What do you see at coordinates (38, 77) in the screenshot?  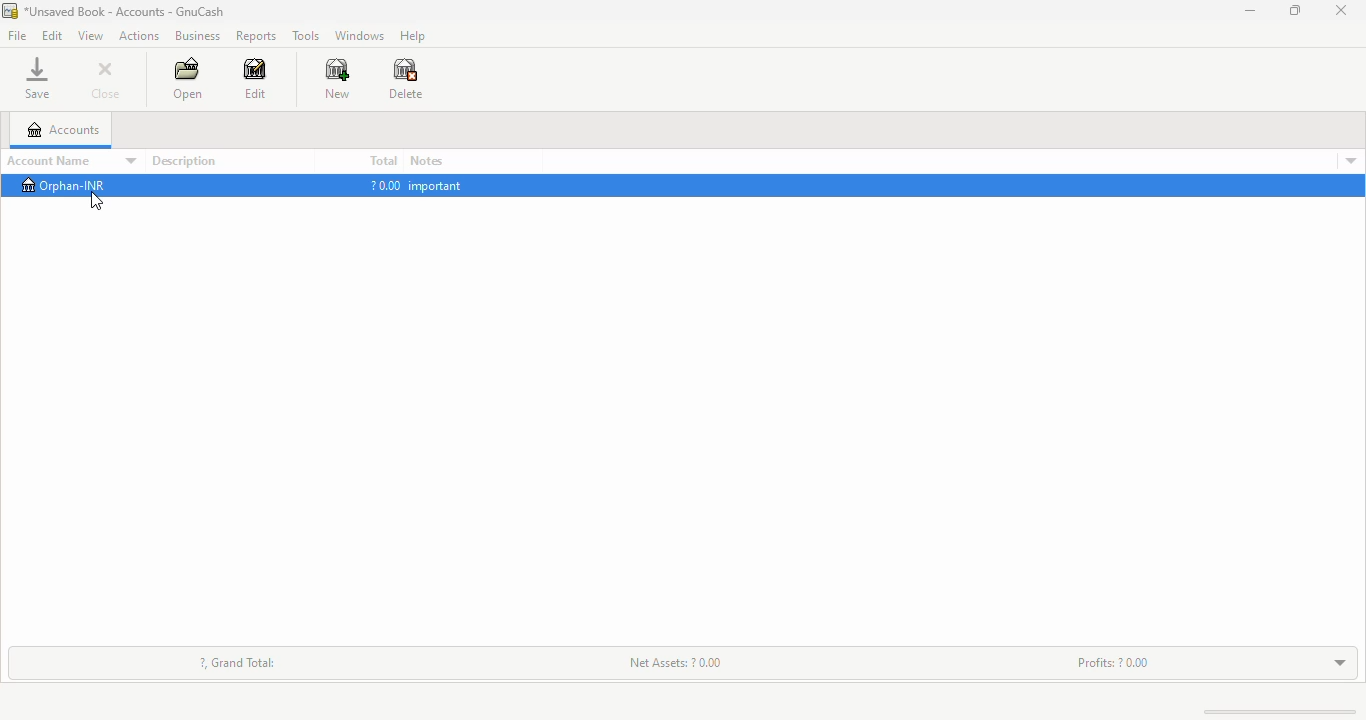 I see `save` at bounding box center [38, 77].